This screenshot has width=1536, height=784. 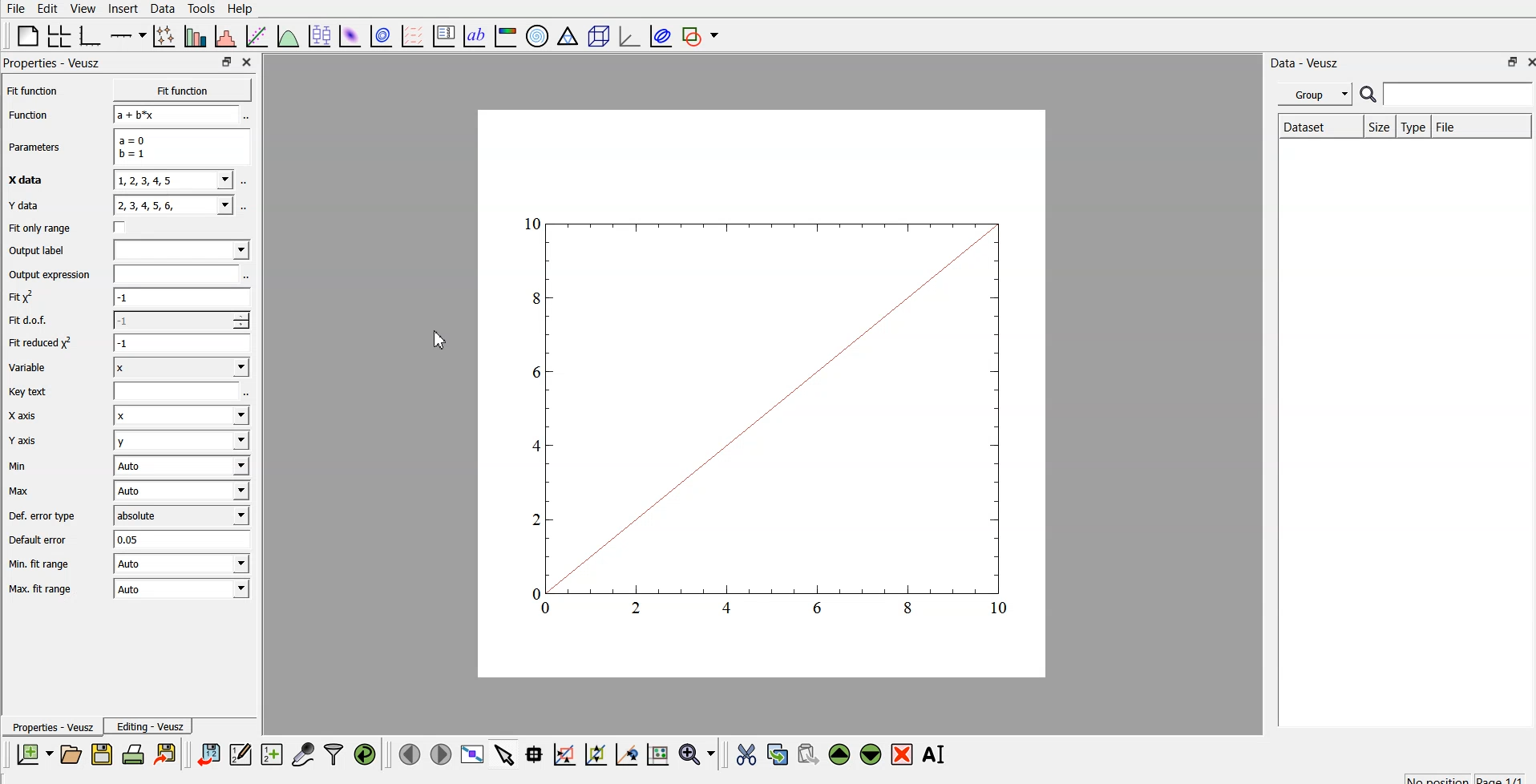 I want to click on Def. error type, so click(x=38, y=516).